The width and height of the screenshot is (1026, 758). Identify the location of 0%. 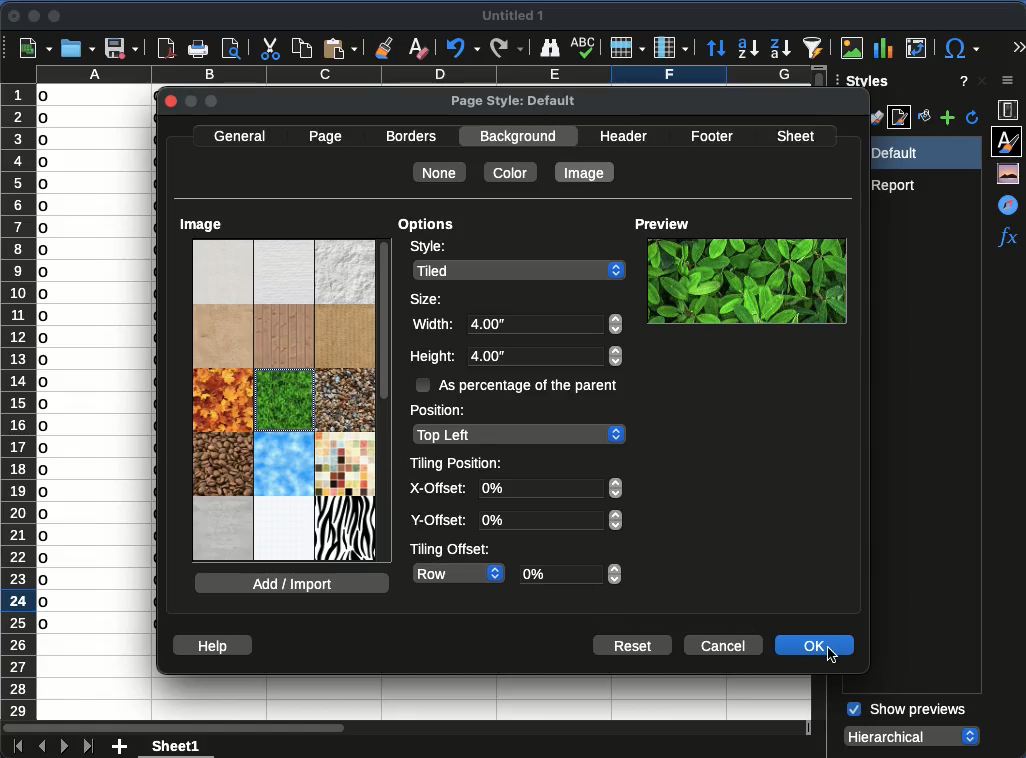
(550, 504).